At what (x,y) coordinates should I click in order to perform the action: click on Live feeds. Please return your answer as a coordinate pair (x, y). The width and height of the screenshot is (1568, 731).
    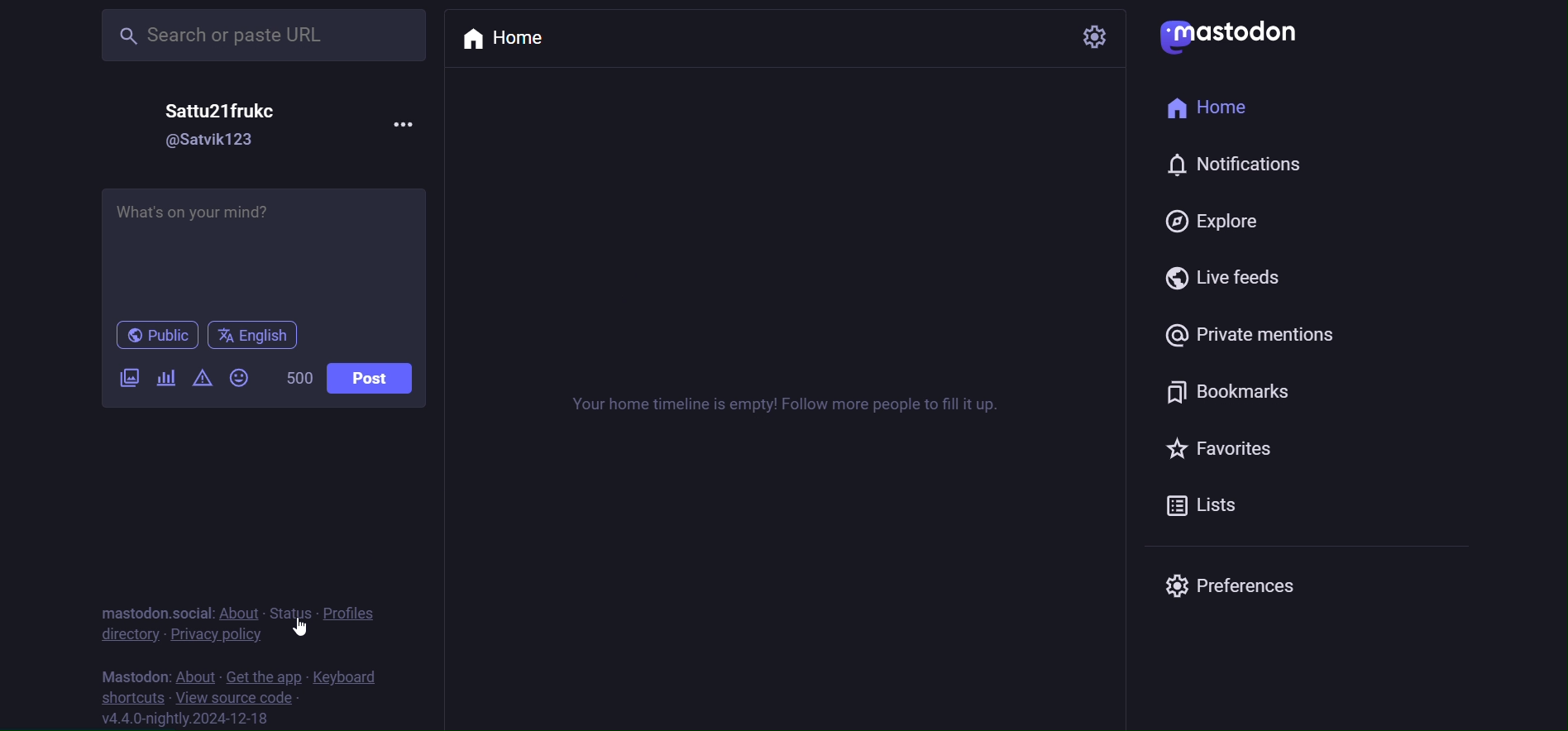
    Looking at the image, I should click on (1224, 277).